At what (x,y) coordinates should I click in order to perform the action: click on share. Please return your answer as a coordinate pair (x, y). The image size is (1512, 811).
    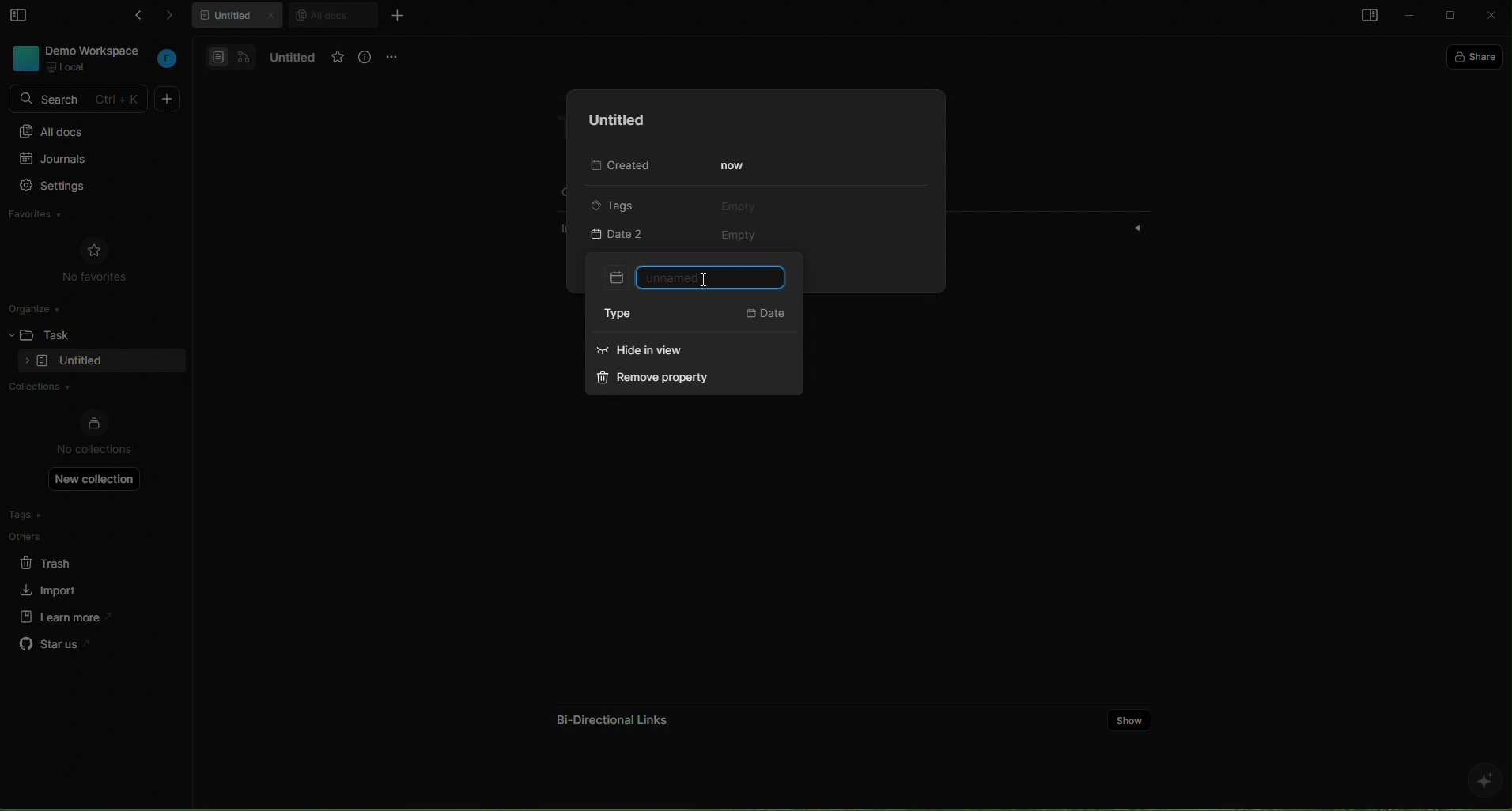
    Looking at the image, I should click on (1478, 55).